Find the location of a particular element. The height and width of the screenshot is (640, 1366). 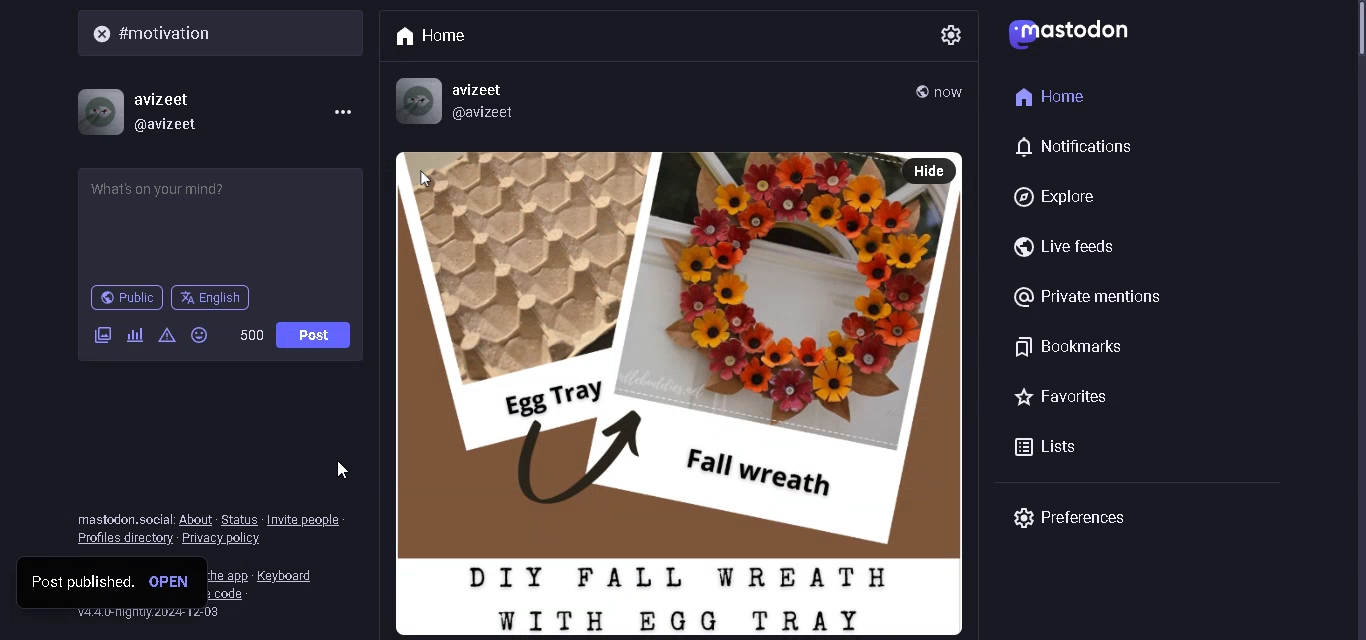

HOME TAB is located at coordinates (439, 33).